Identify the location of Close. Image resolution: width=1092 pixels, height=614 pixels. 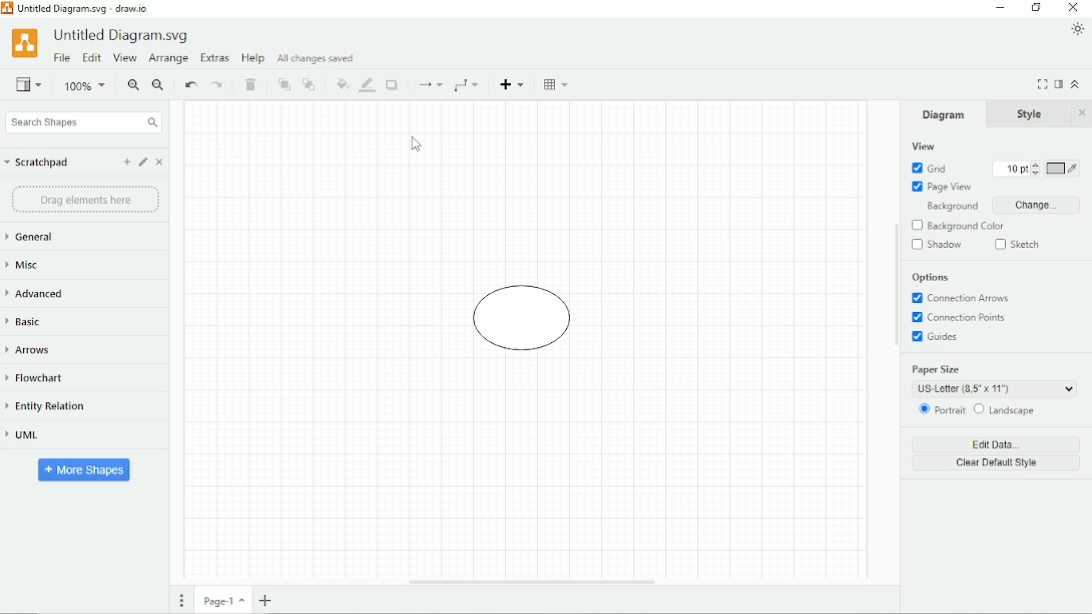
(160, 163).